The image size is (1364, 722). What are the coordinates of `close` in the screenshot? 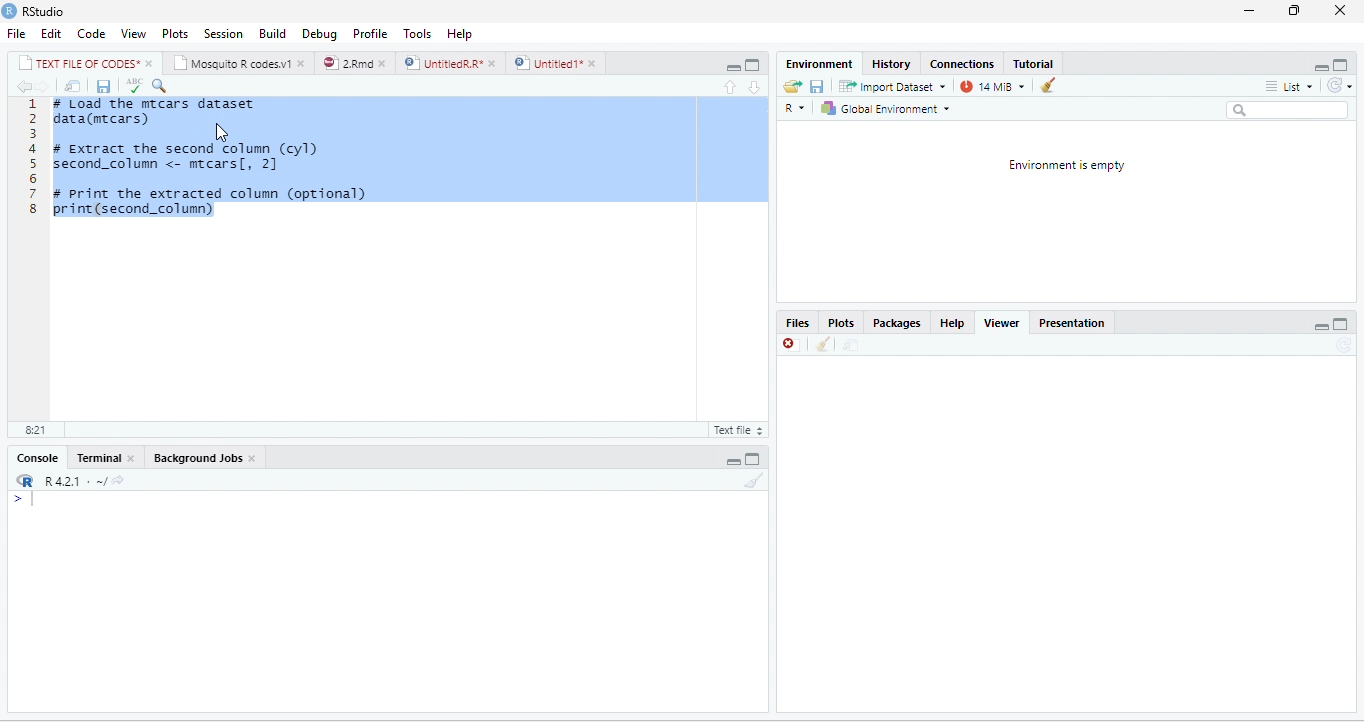 It's located at (254, 458).